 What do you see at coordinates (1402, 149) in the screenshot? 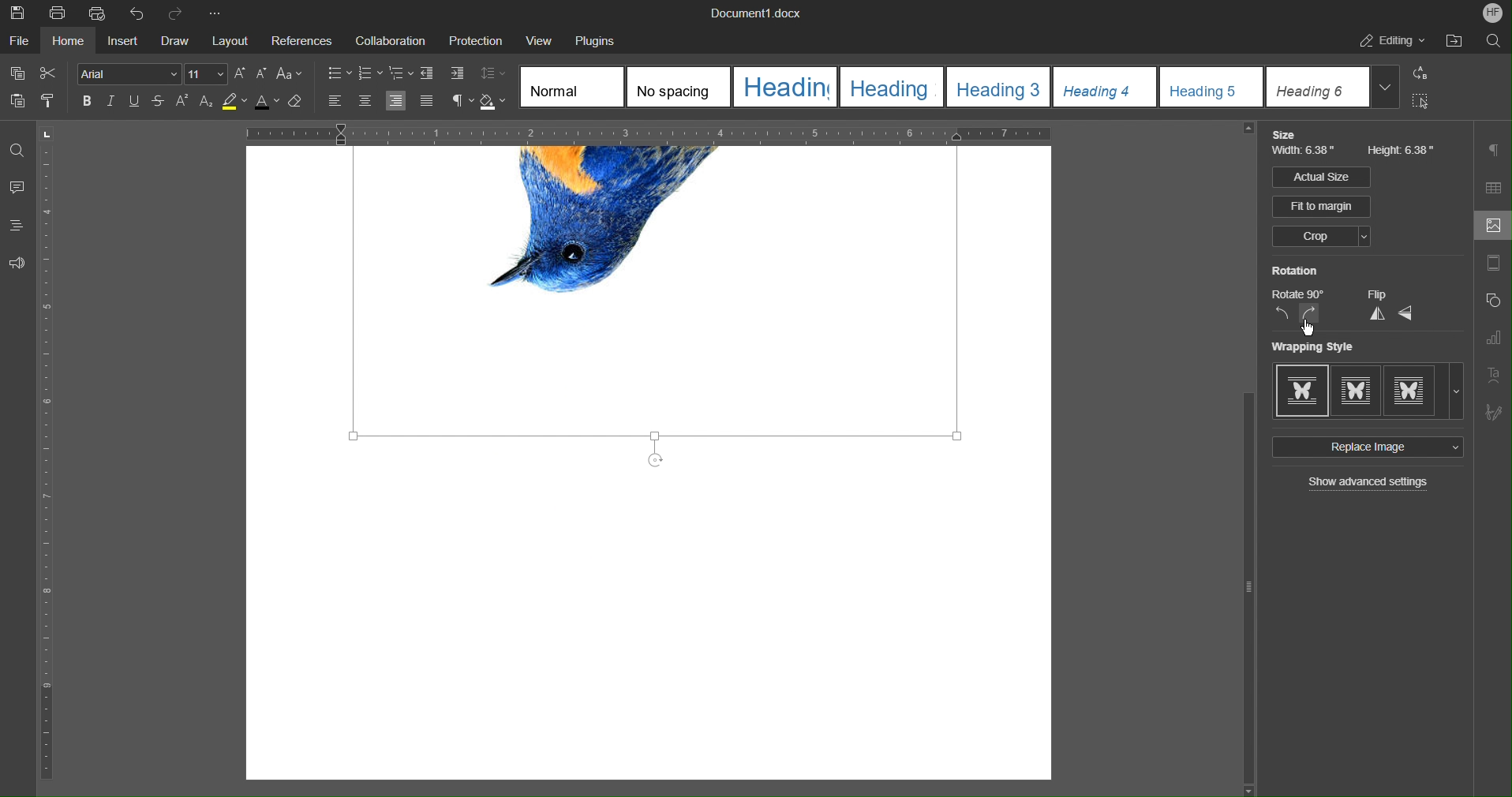
I see `Height ` at bounding box center [1402, 149].